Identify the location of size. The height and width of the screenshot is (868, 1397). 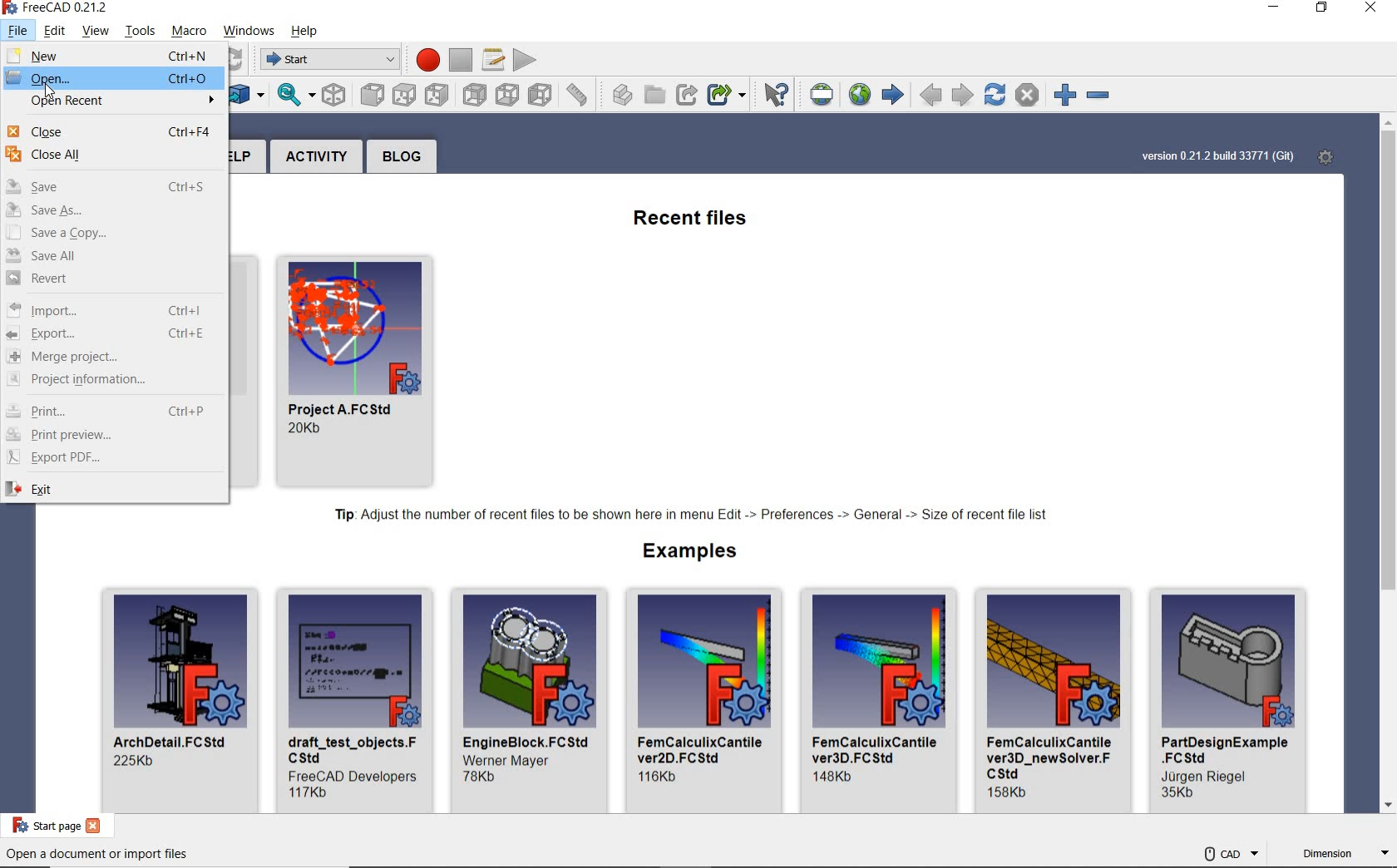
(309, 429).